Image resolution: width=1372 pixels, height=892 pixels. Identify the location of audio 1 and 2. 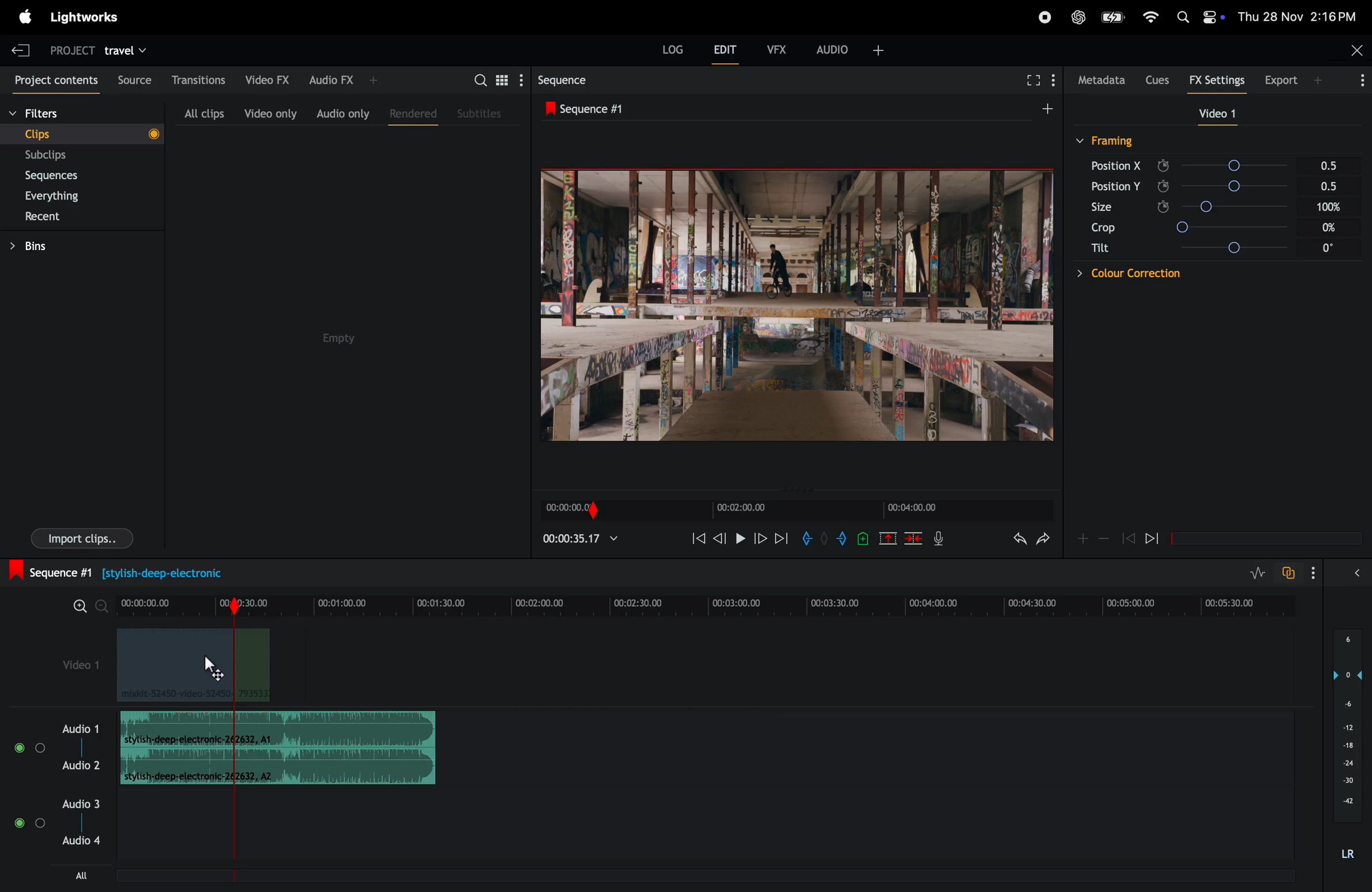
(58, 753).